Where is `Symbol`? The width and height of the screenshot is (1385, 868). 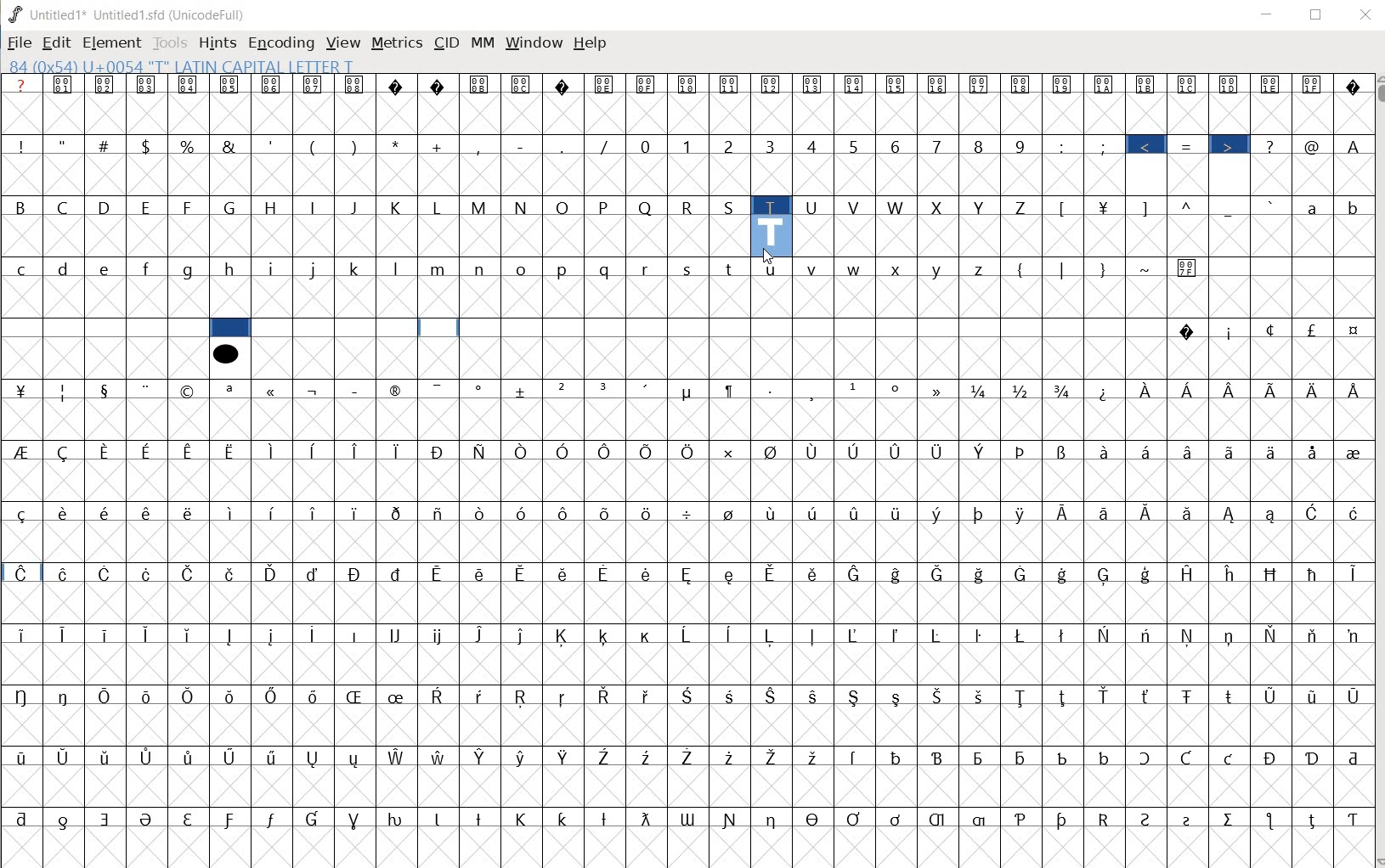 Symbol is located at coordinates (940, 819).